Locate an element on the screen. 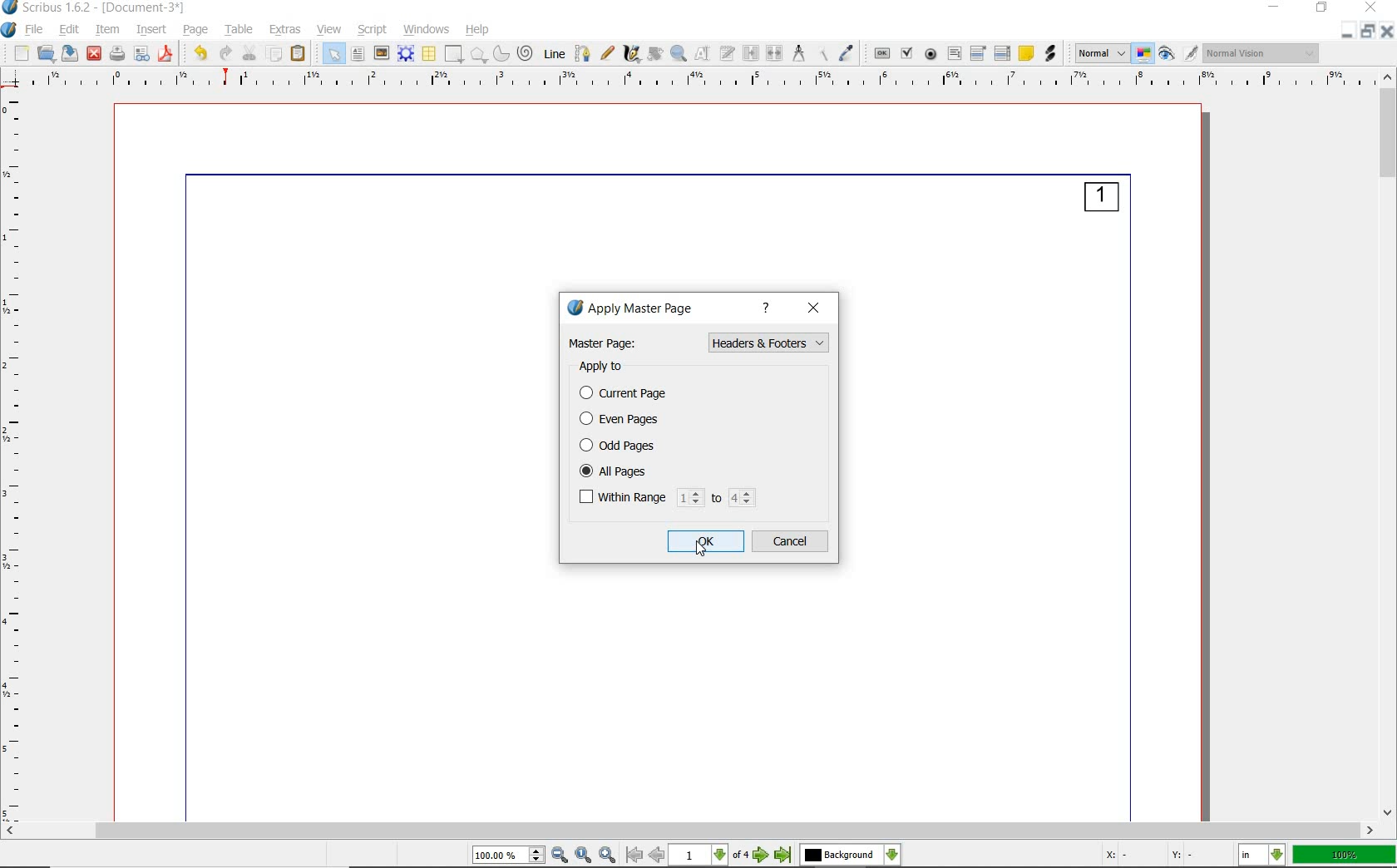 This screenshot has height=868, width=1397. Cursor is located at coordinates (700, 550).